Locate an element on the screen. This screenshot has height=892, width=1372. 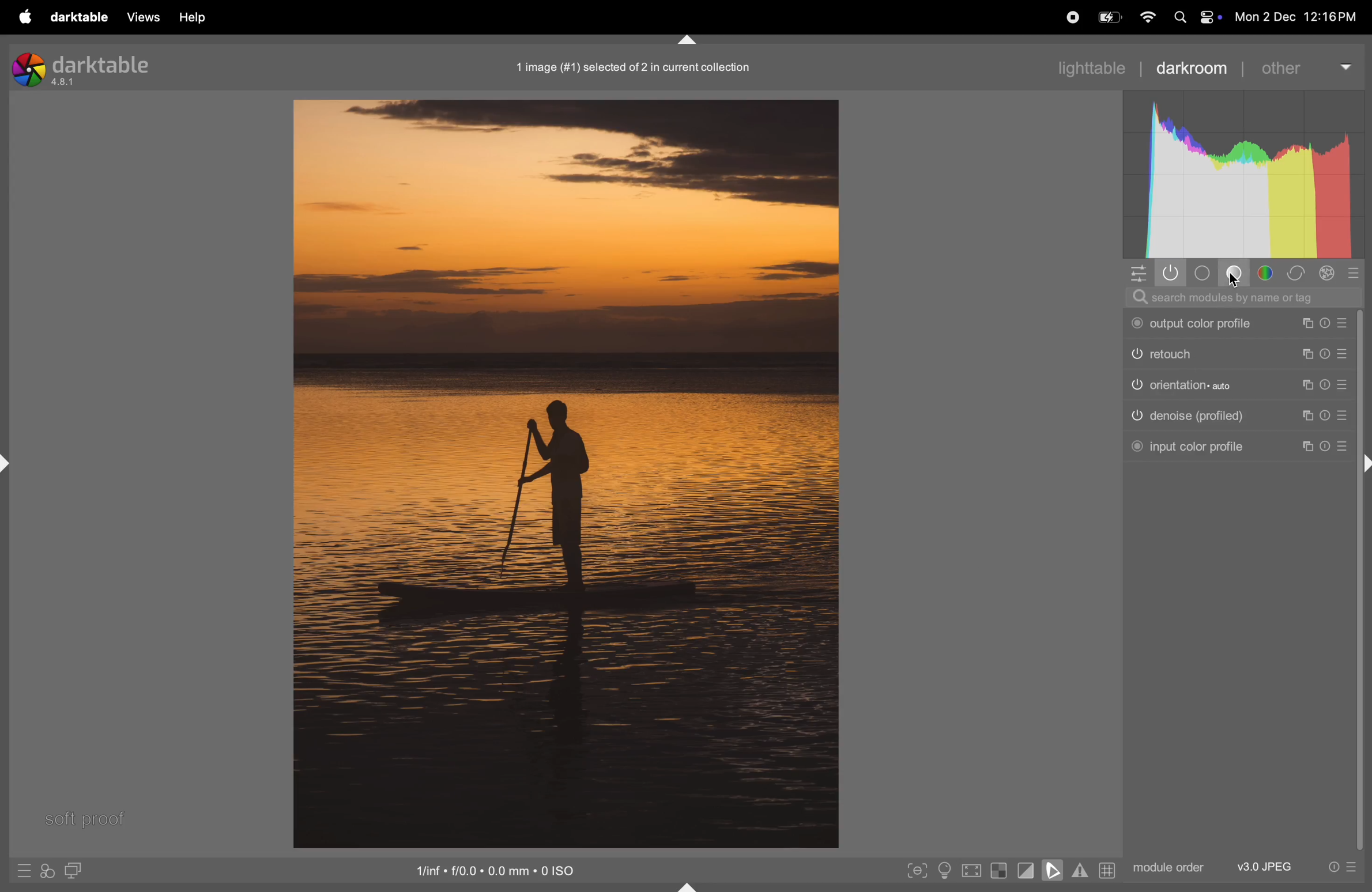
input color profile is located at coordinates (1239, 445).